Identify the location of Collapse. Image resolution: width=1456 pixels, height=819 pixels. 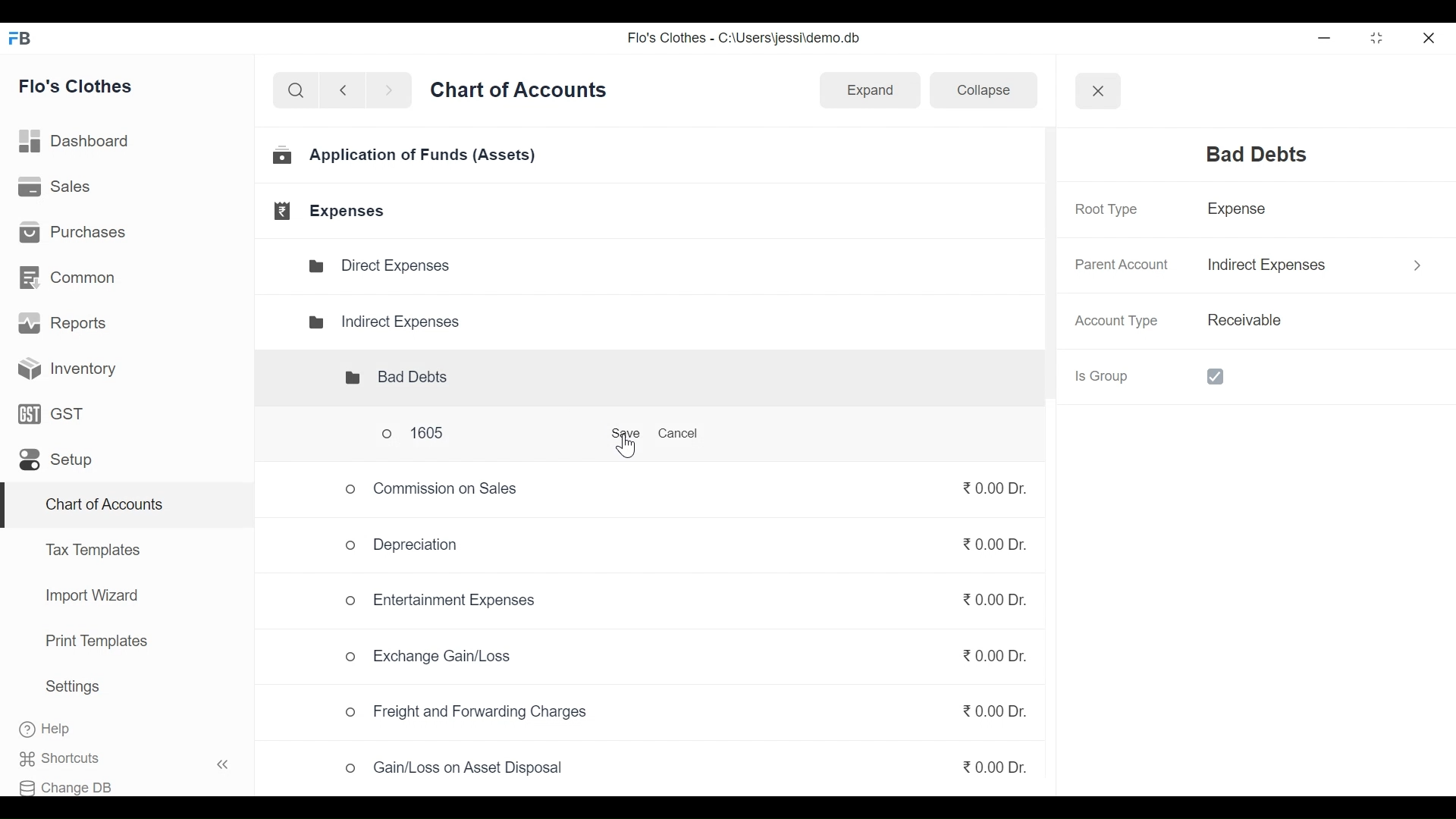
(977, 93).